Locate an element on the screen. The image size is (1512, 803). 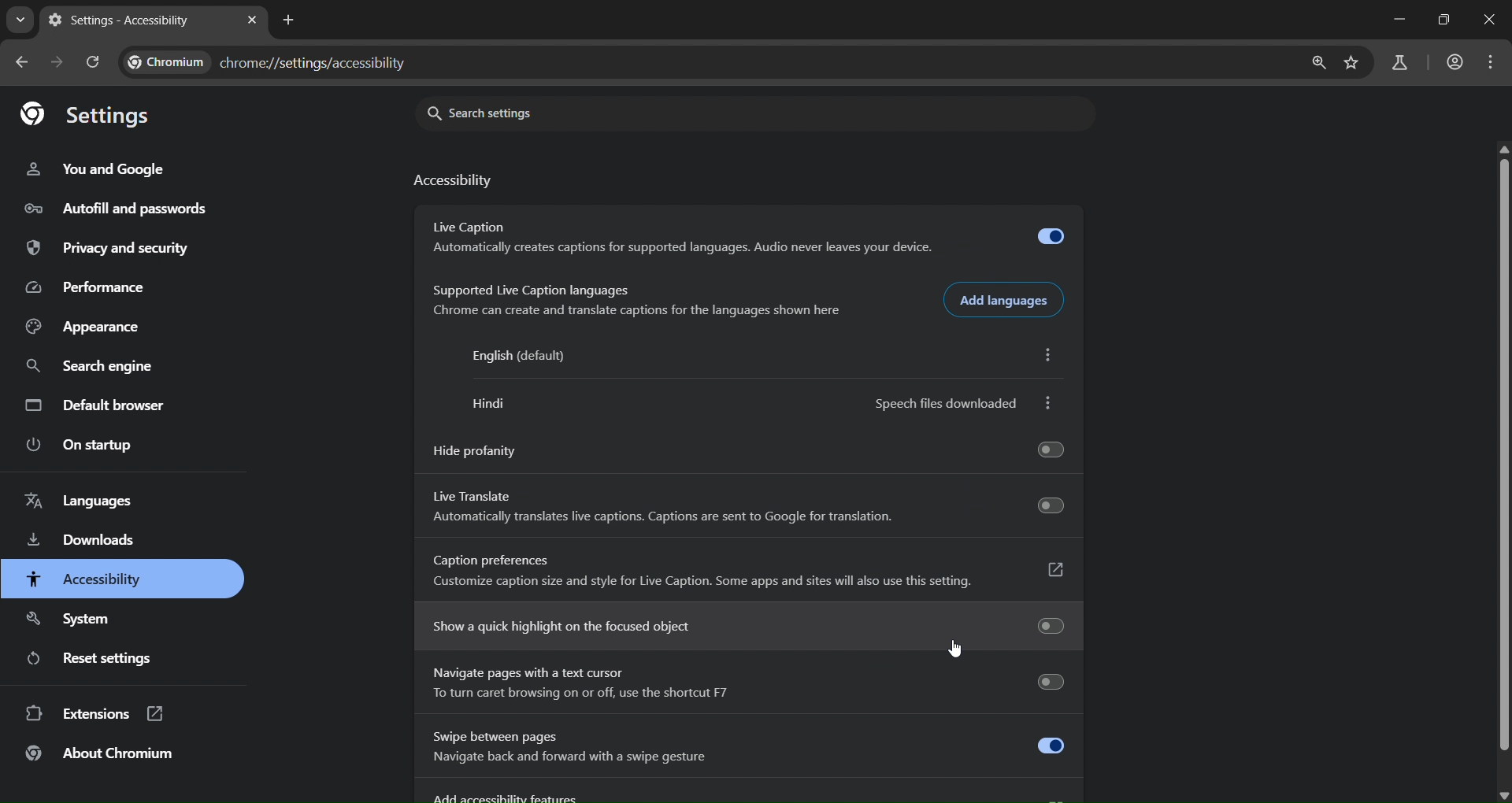
Show a quick highlight on the focused object is located at coordinates (746, 626).